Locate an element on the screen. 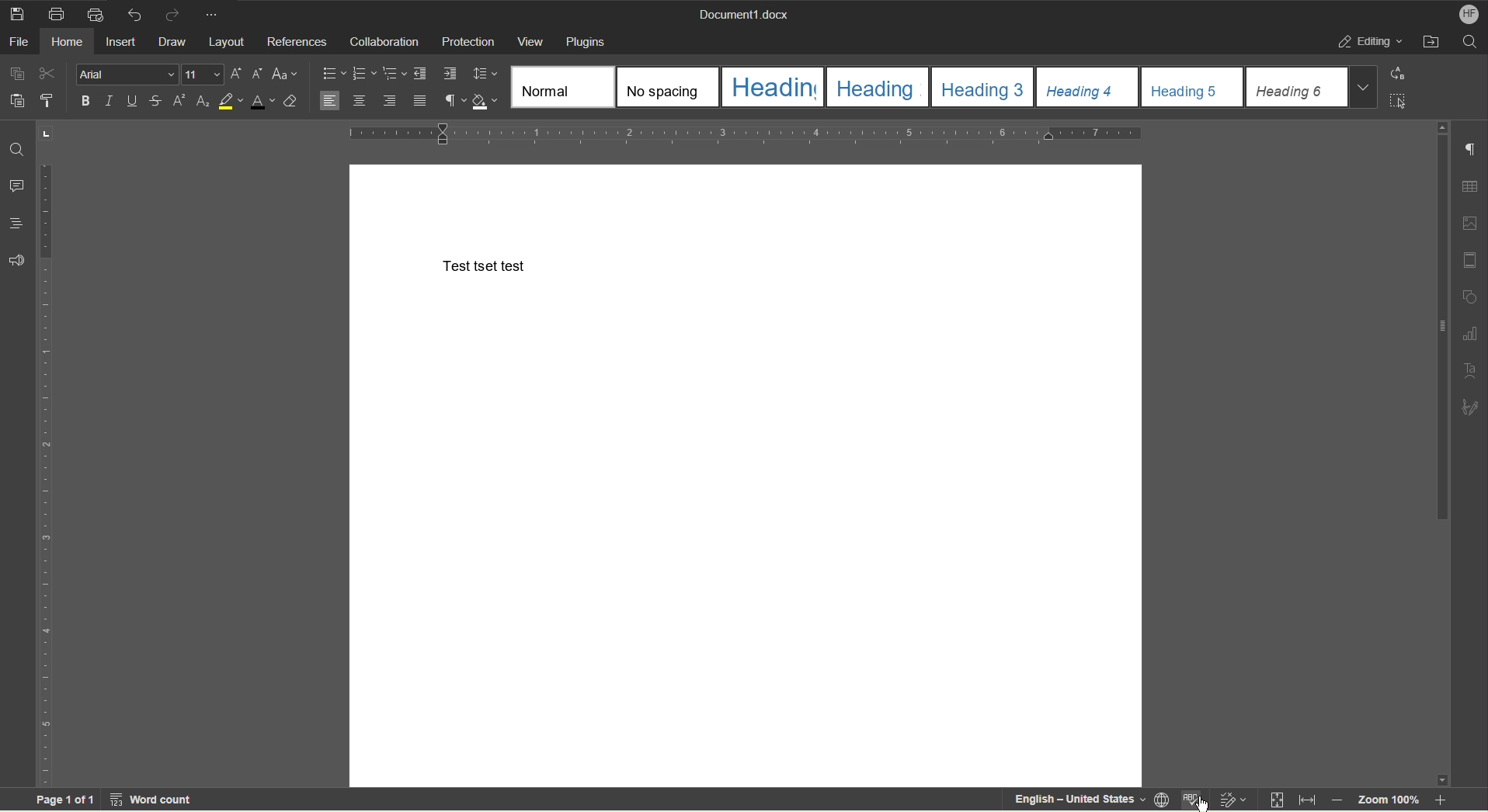 This screenshot has height=812, width=1488. Italics is located at coordinates (113, 102).